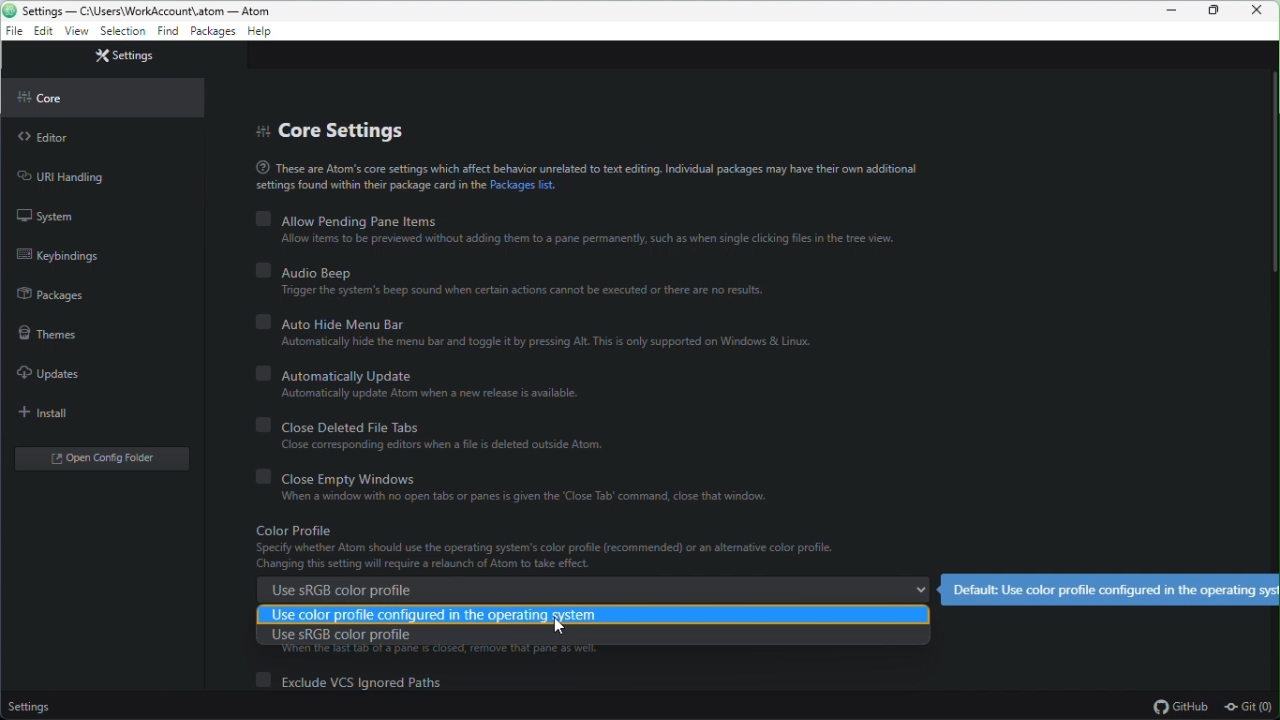 The height and width of the screenshot is (720, 1280). I want to click on help, so click(261, 33).